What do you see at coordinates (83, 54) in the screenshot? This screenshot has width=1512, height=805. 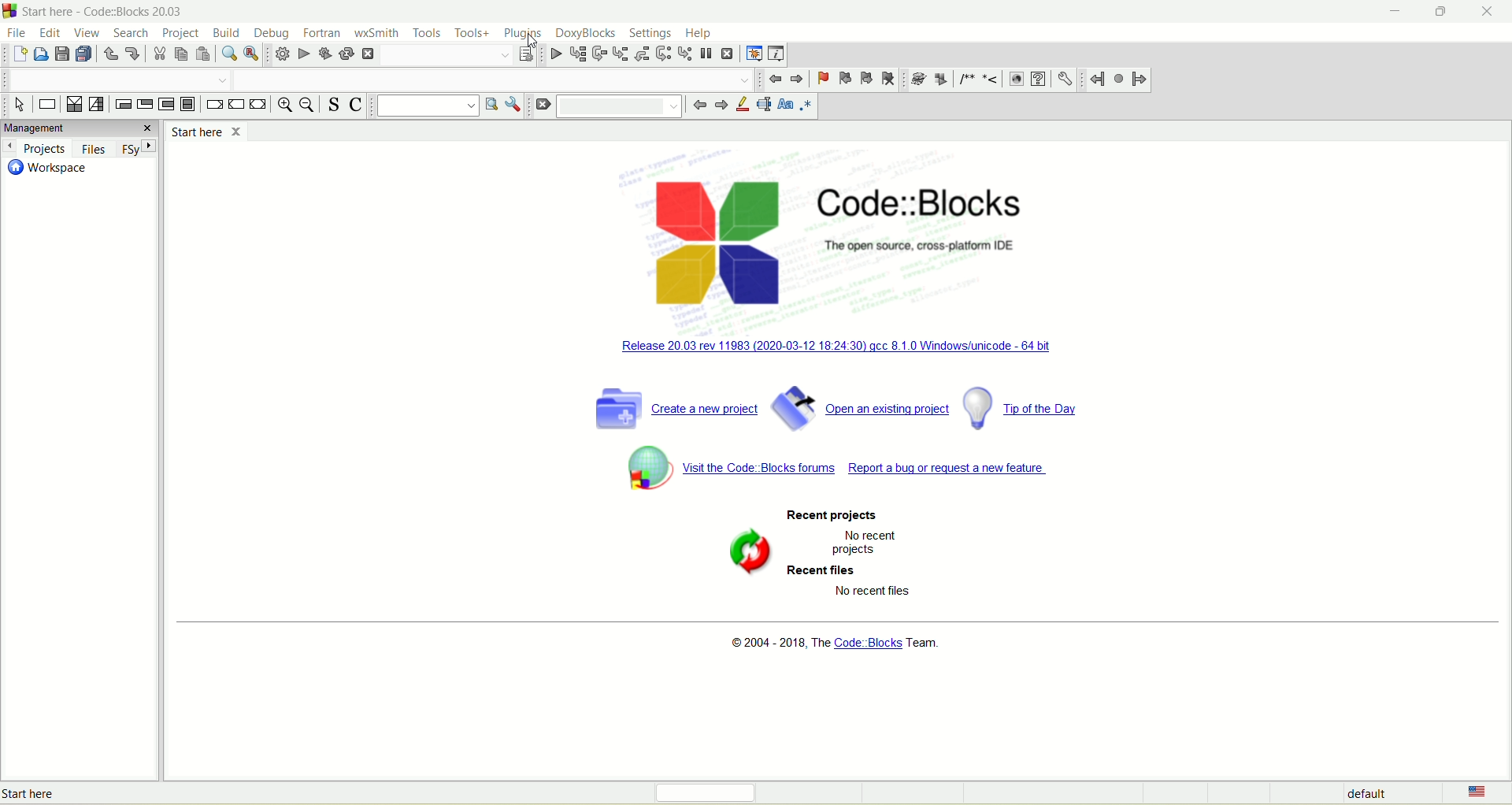 I see `save everything` at bounding box center [83, 54].